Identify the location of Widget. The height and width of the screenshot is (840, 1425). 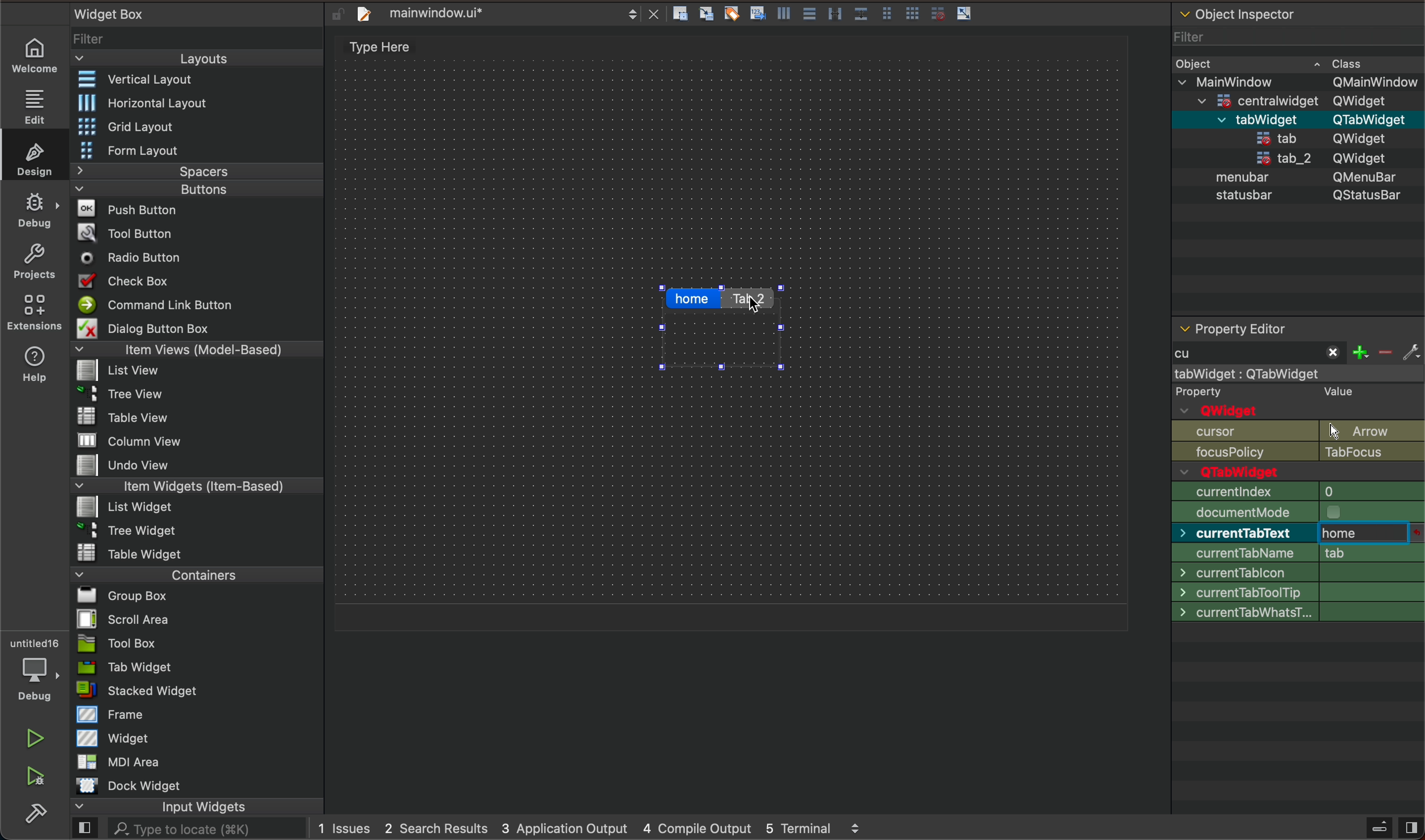
(114, 738).